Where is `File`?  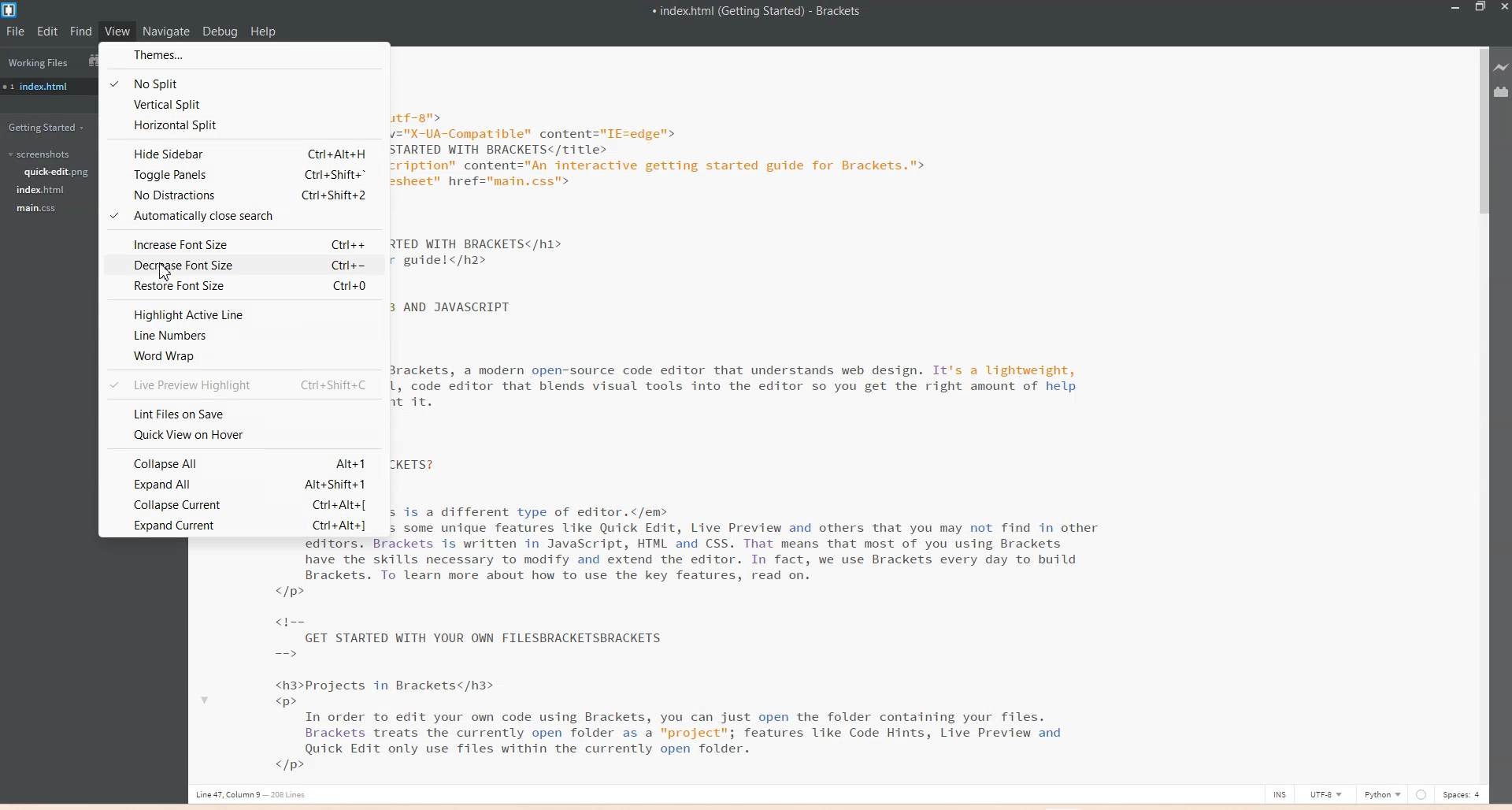
File is located at coordinates (16, 32).